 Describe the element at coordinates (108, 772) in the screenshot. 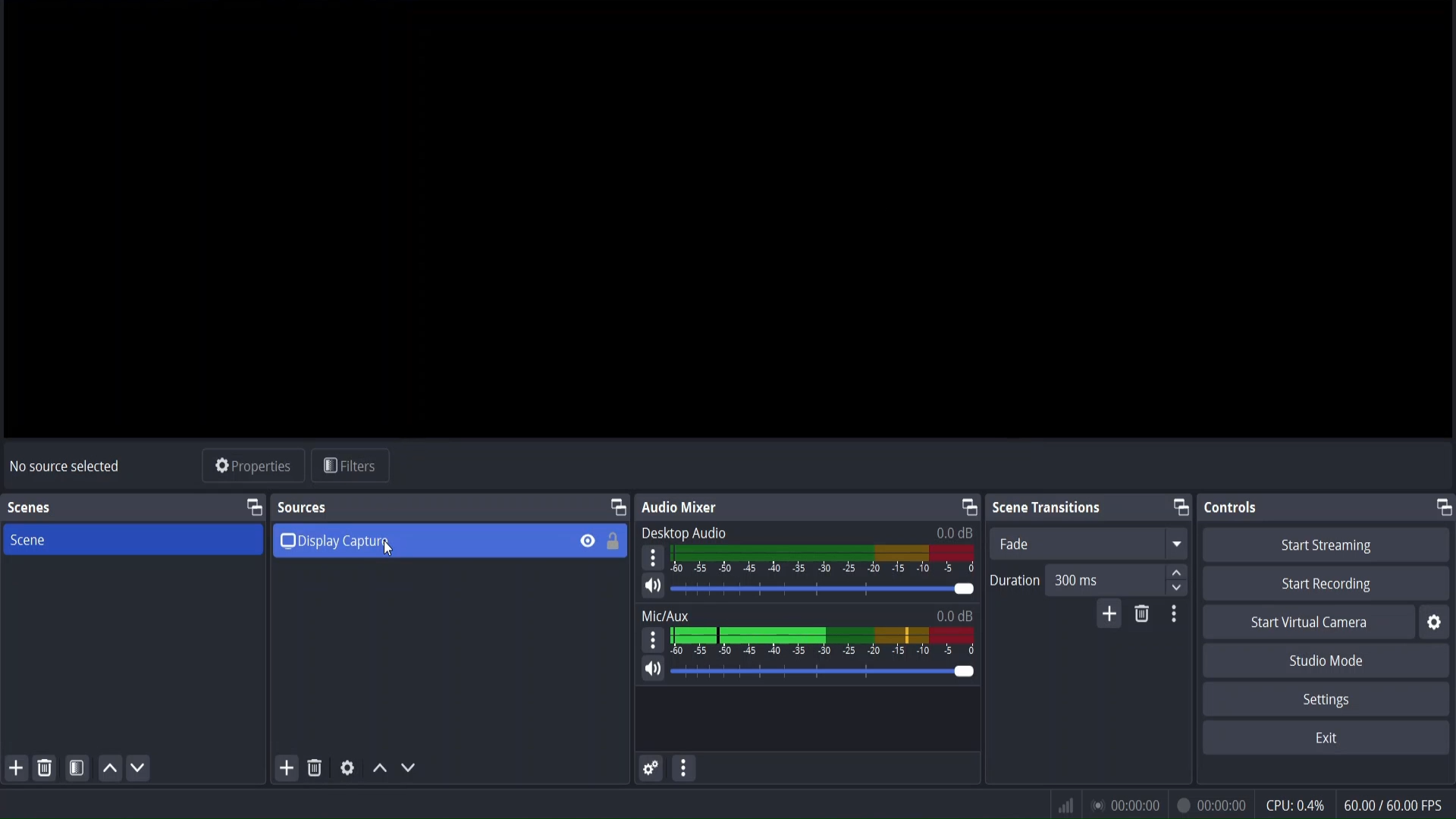

I see `move scene up` at that location.